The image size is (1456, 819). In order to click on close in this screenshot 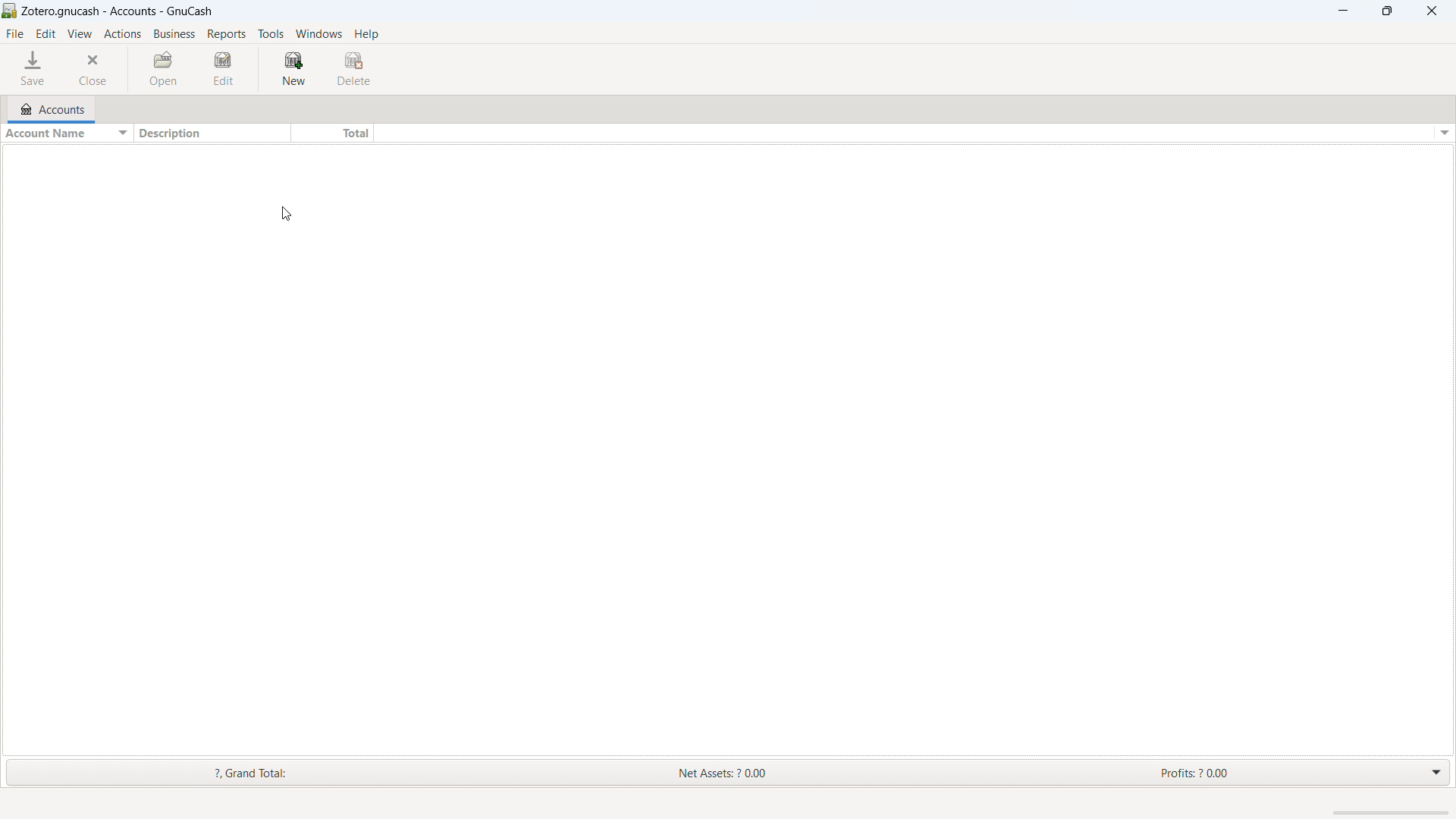, I will do `click(1432, 11)`.